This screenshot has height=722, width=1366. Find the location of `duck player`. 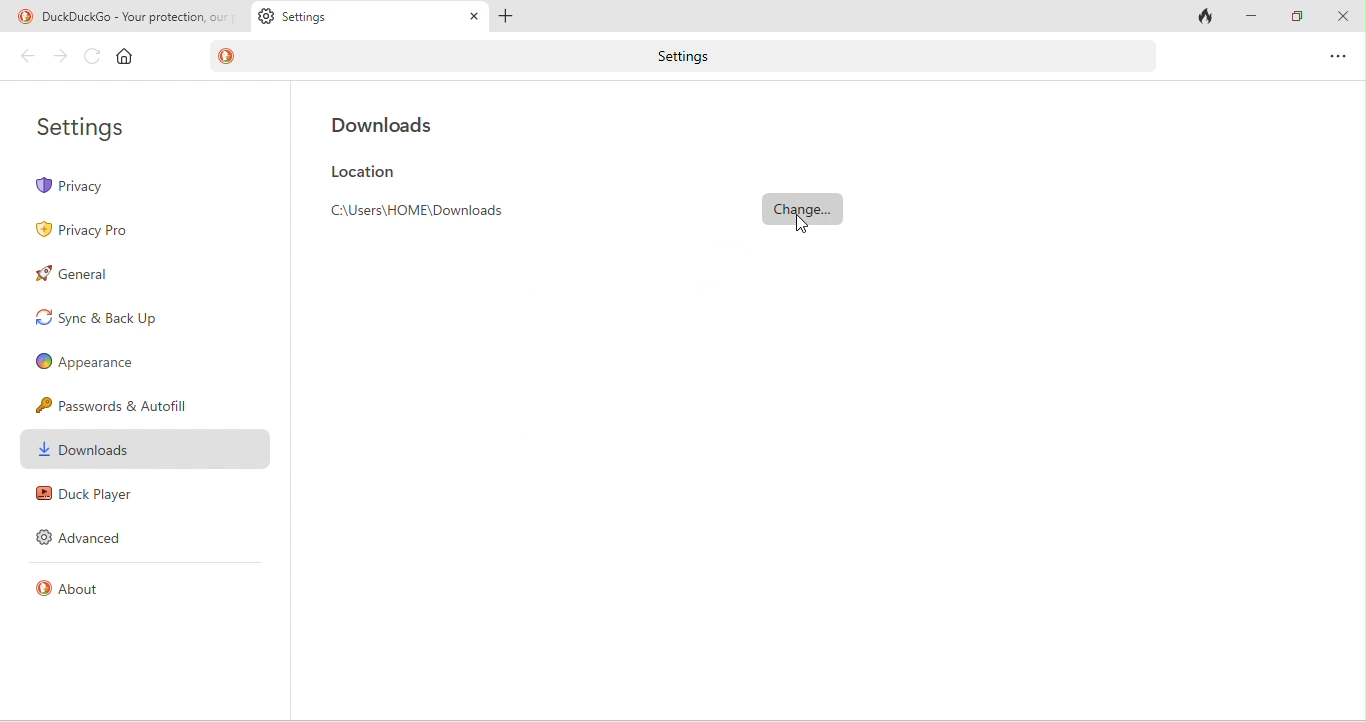

duck player is located at coordinates (86, 496).